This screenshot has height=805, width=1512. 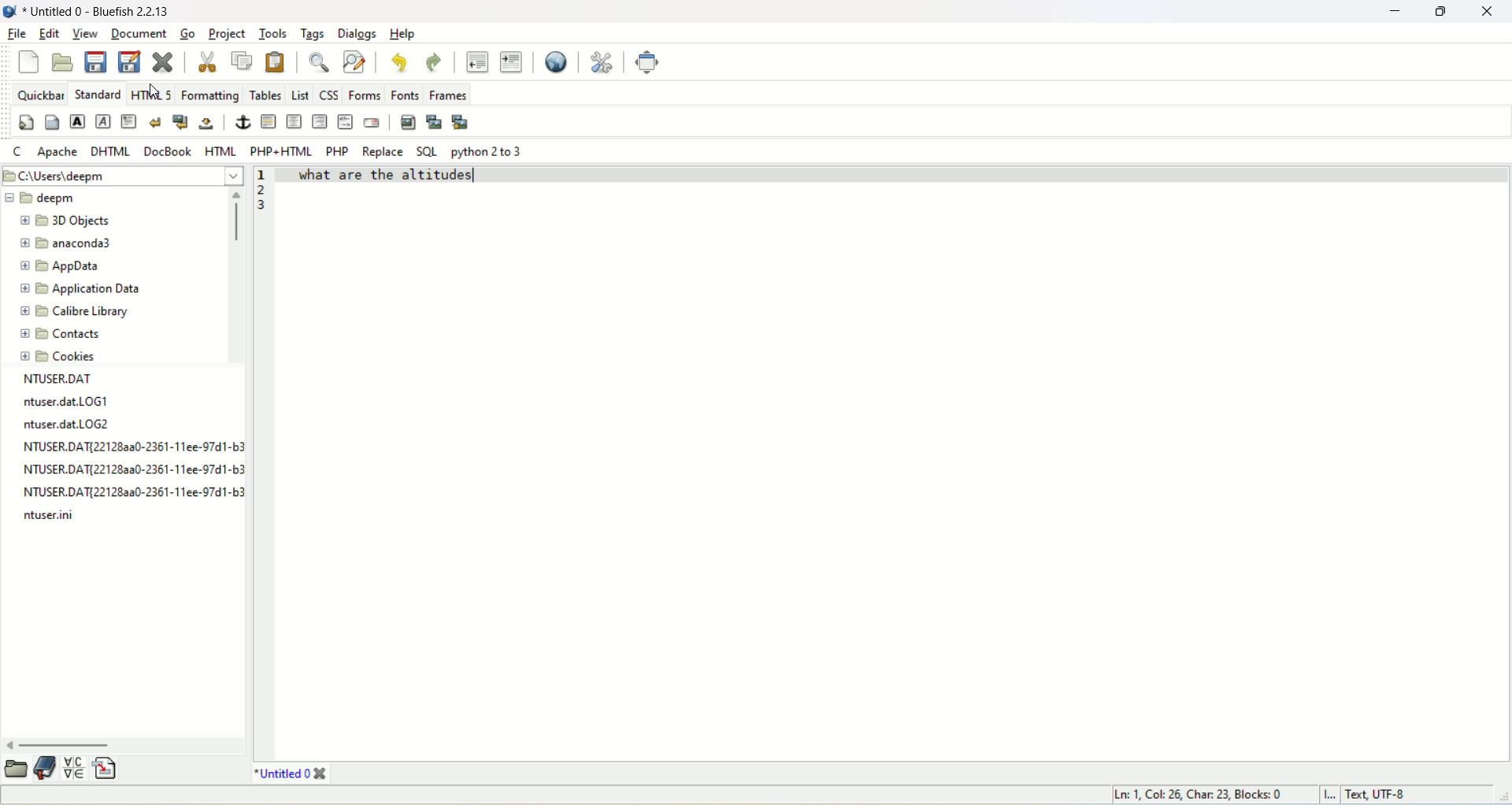 I want to click on insert thumbnail, so click(x=435, y=125).